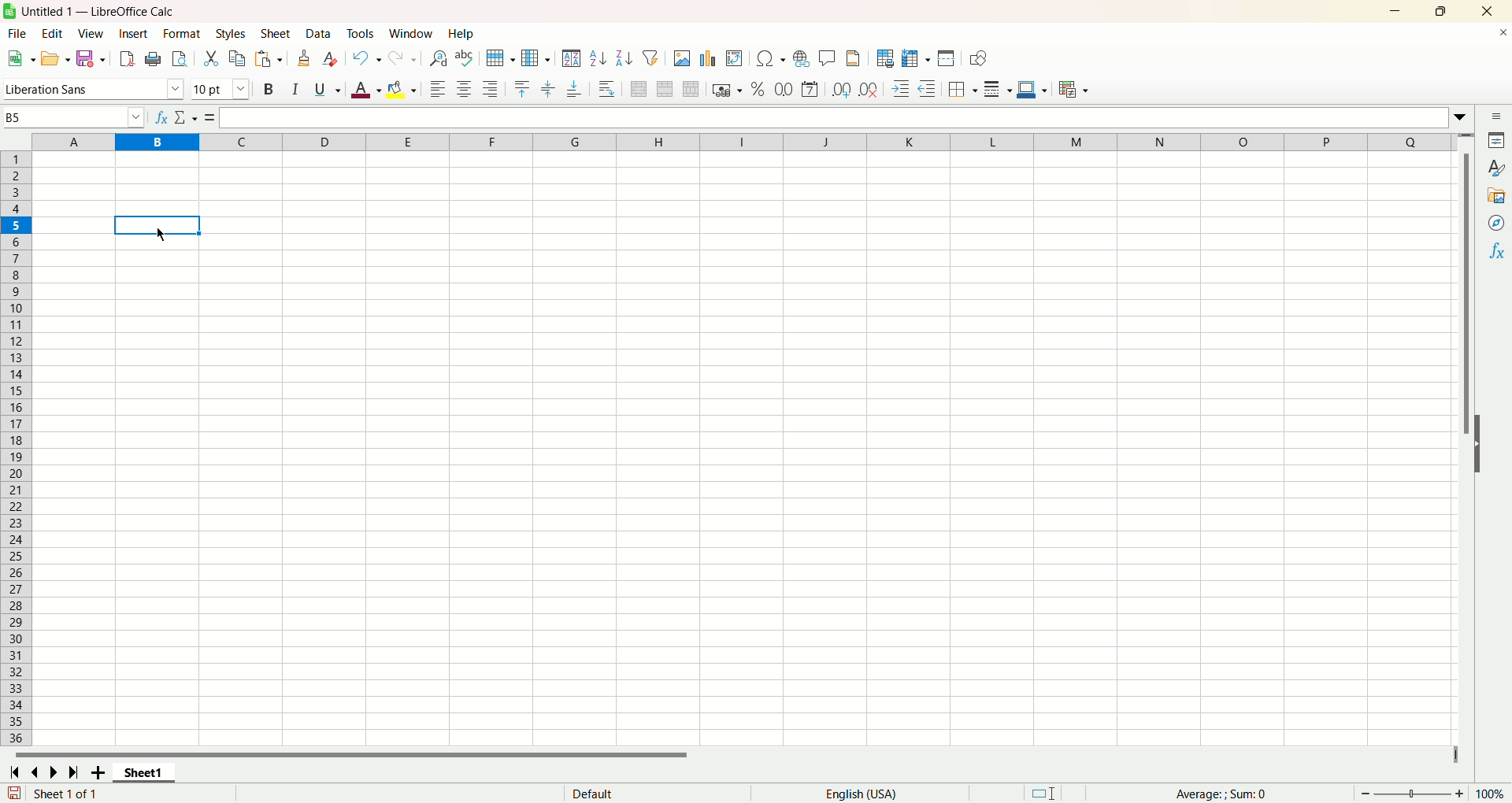 The height and width of the screenshot is (803, 1512). I want to click on unmerge cells, so click(689, 89).